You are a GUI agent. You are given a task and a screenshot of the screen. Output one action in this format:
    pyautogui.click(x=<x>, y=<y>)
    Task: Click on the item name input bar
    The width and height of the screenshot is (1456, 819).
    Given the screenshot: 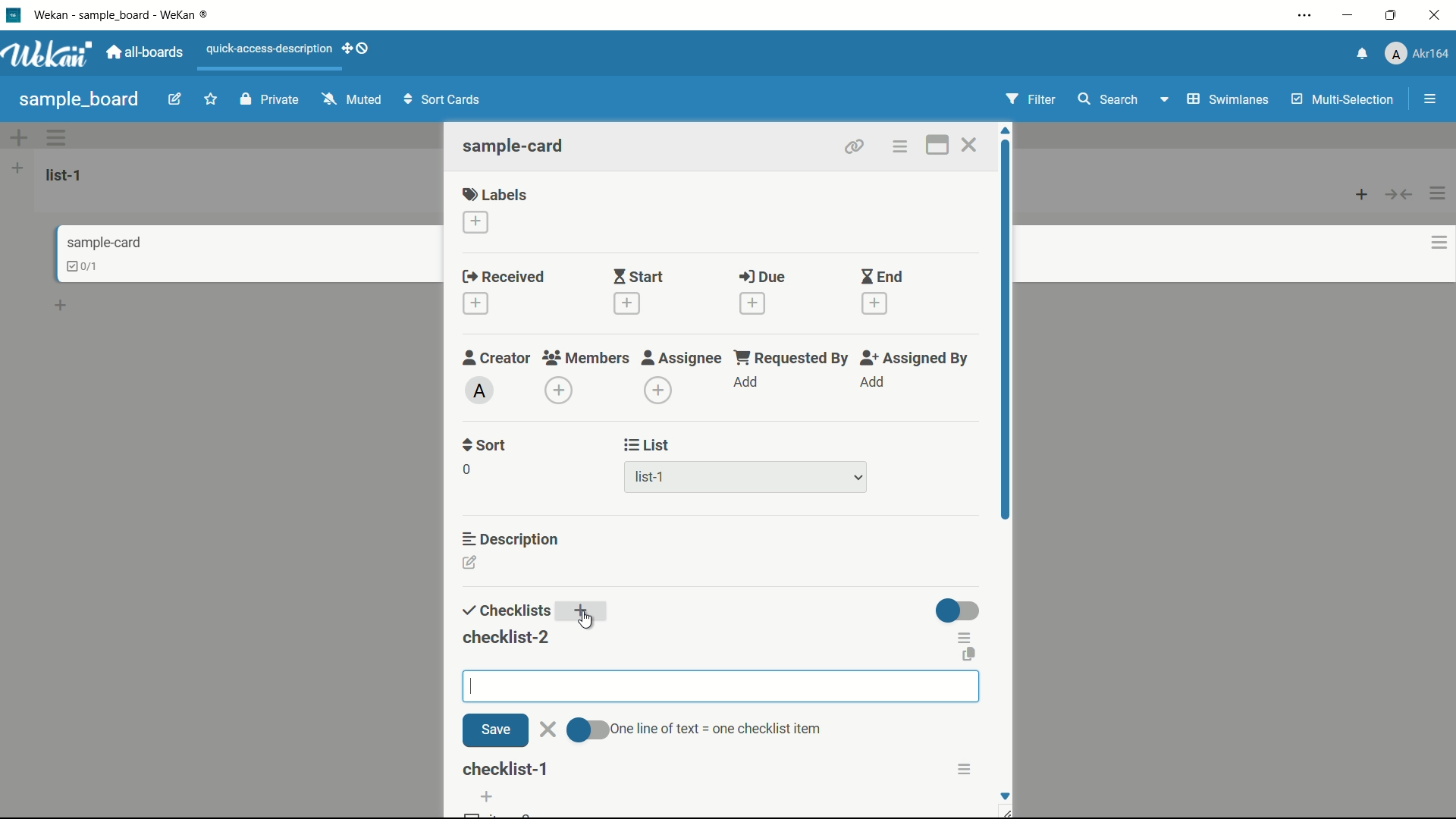 What is the action you would take?
    pyautogui.click(x=731, y=686)
    